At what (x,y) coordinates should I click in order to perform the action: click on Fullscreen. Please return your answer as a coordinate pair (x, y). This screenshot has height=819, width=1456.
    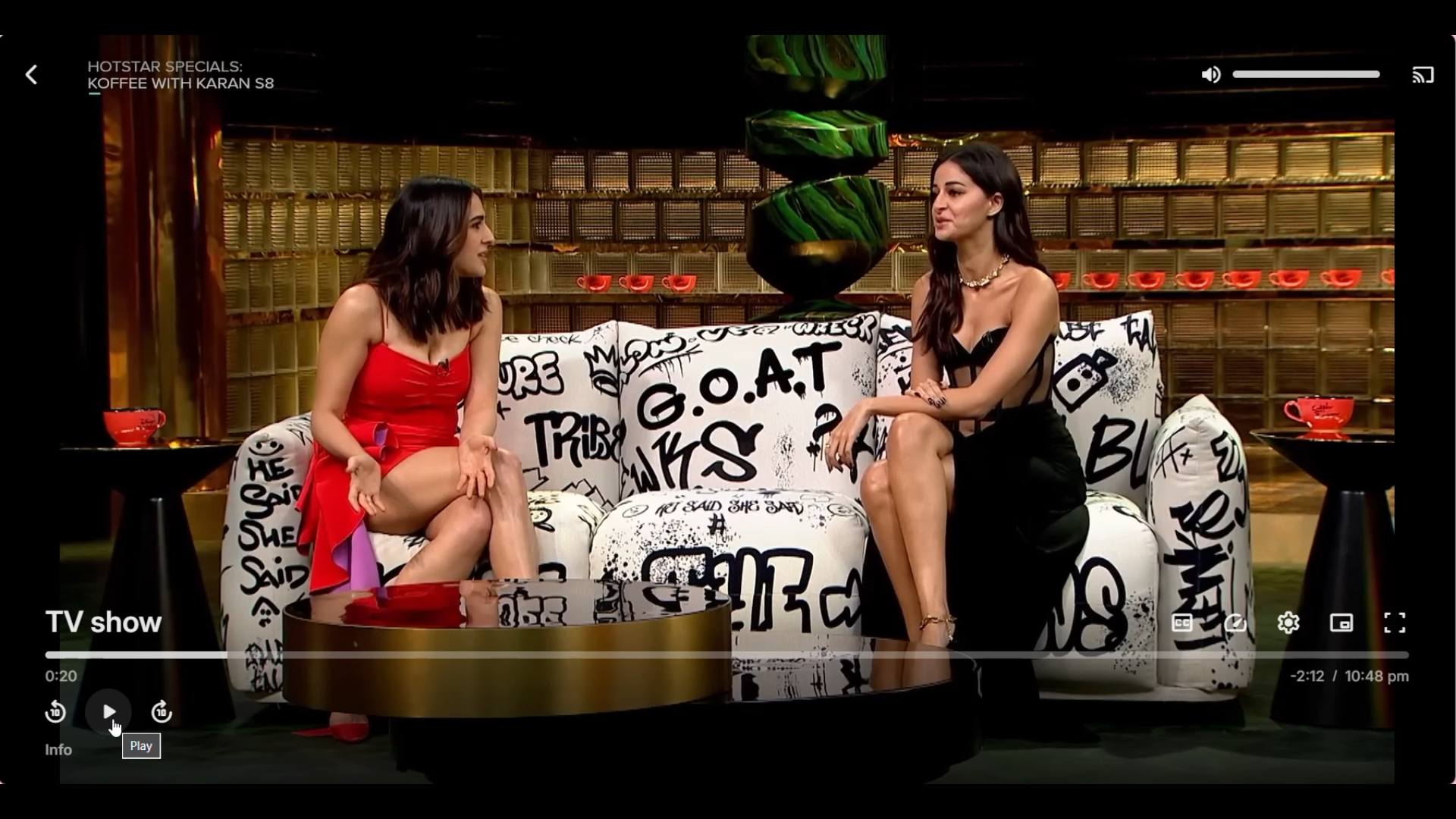
    Looking at the image, I should click on (1394, 623).